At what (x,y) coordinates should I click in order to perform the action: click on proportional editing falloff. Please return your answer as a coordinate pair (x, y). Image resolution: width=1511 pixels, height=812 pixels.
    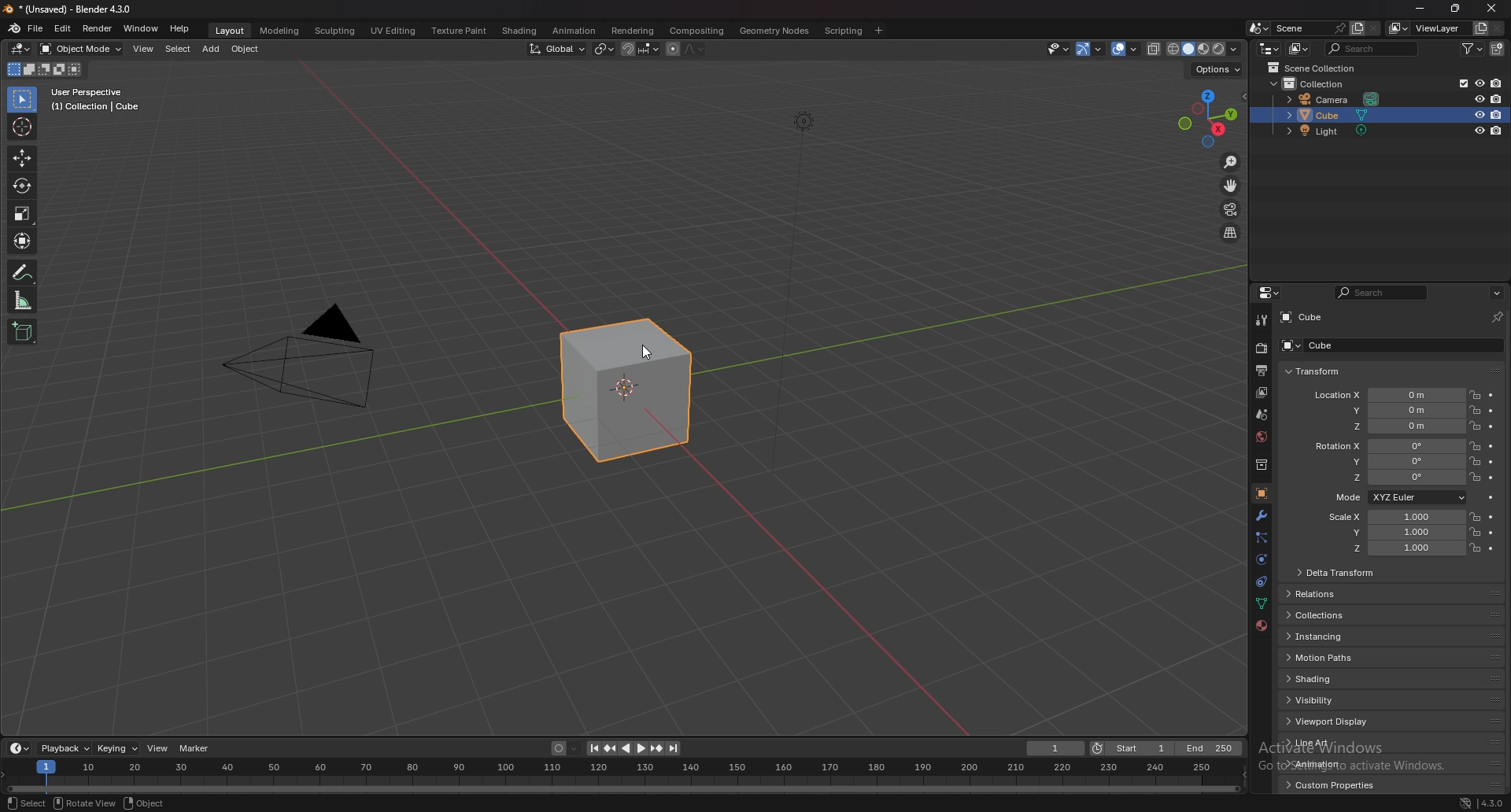
    Looking at the image, I should click on (695, 49).